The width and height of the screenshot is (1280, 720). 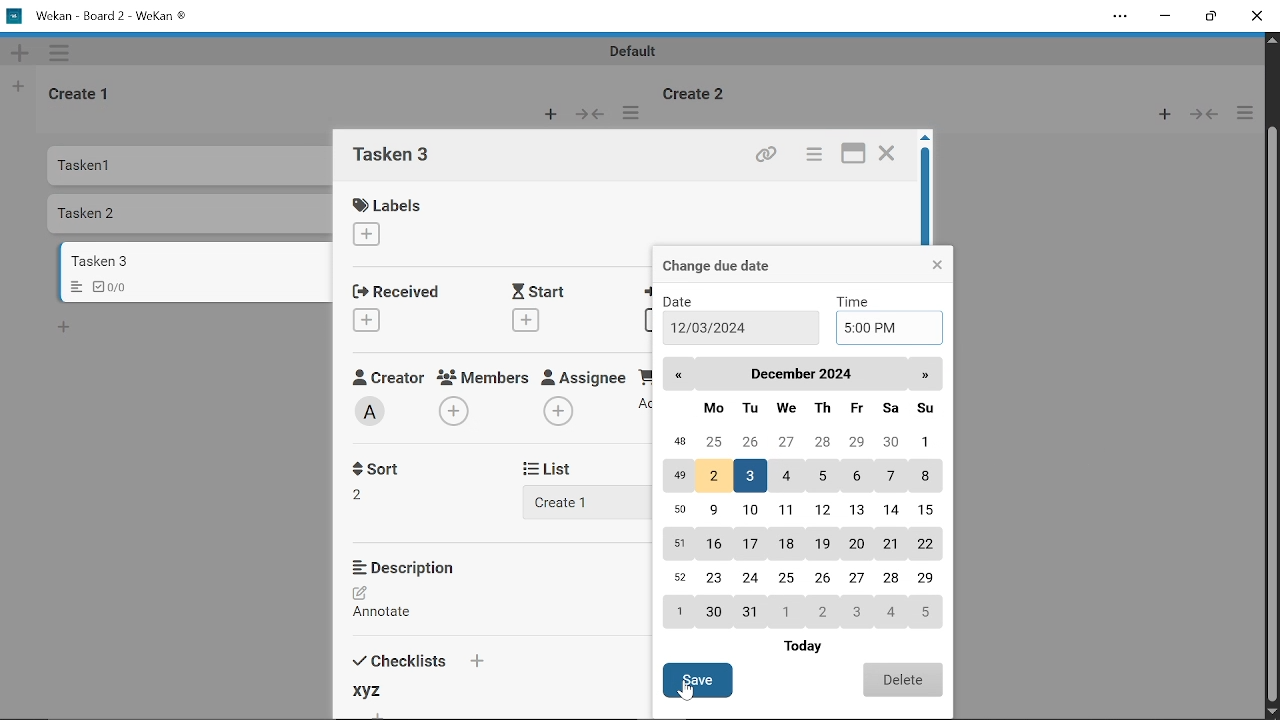 I want to click on Checklists, so click(x=415, y=661).